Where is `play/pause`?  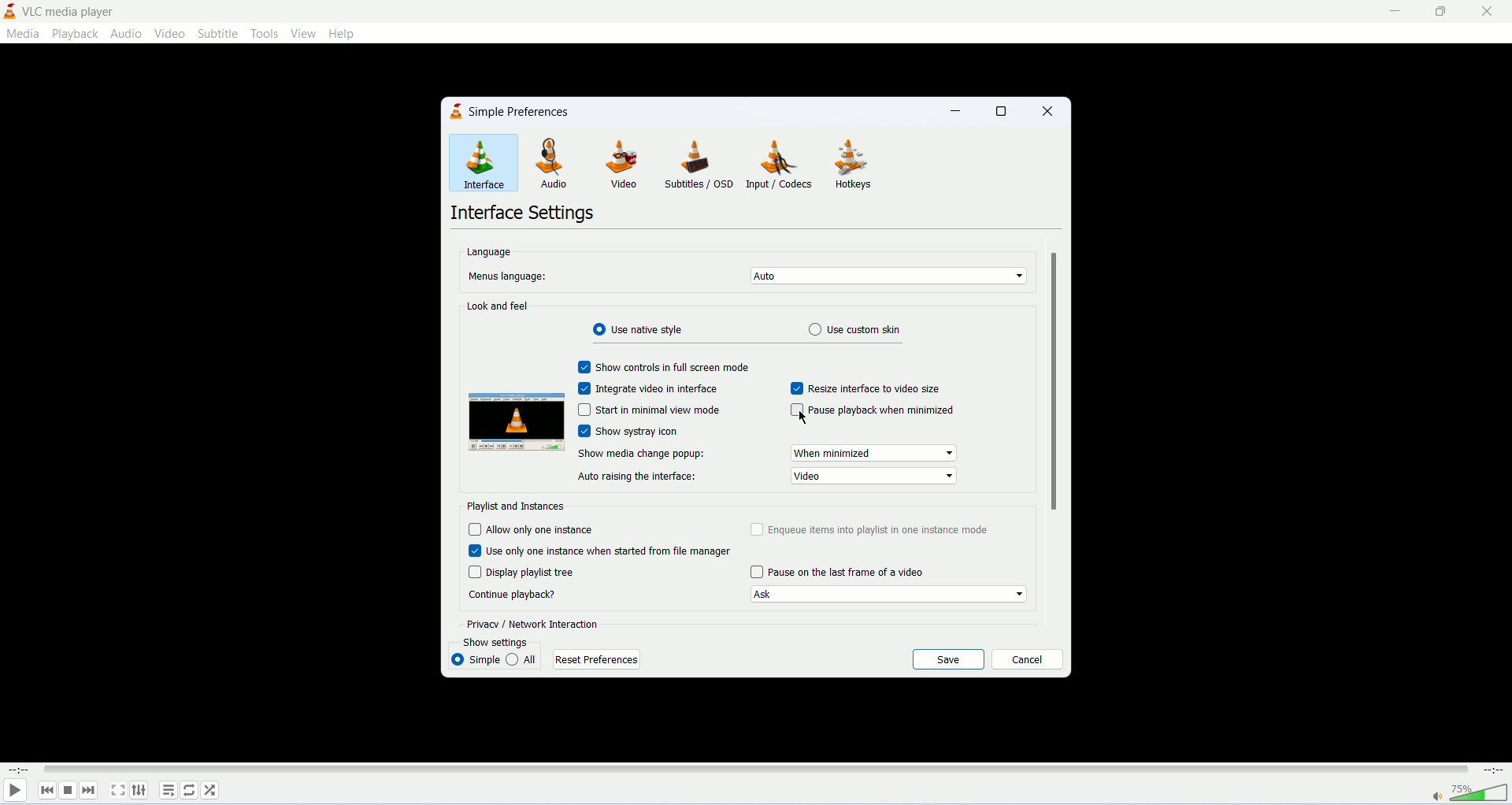 play/pause is located at coordinates (14, 792).